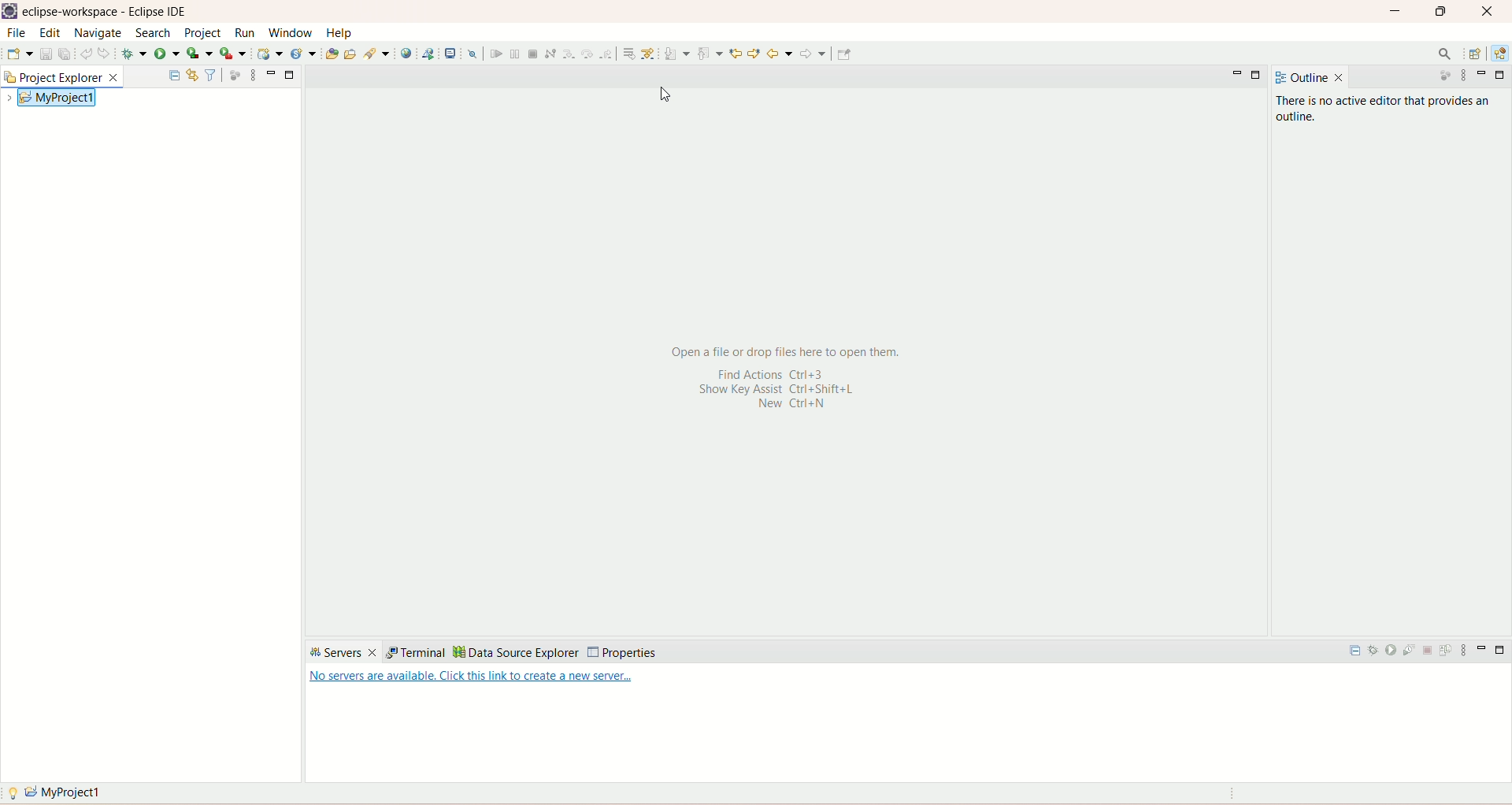 This screenshot has width=1512, height=805. What do you see at coordinates (736, 54) in the screenshot?
I see `next edit location` at bounding box center [736, 54].